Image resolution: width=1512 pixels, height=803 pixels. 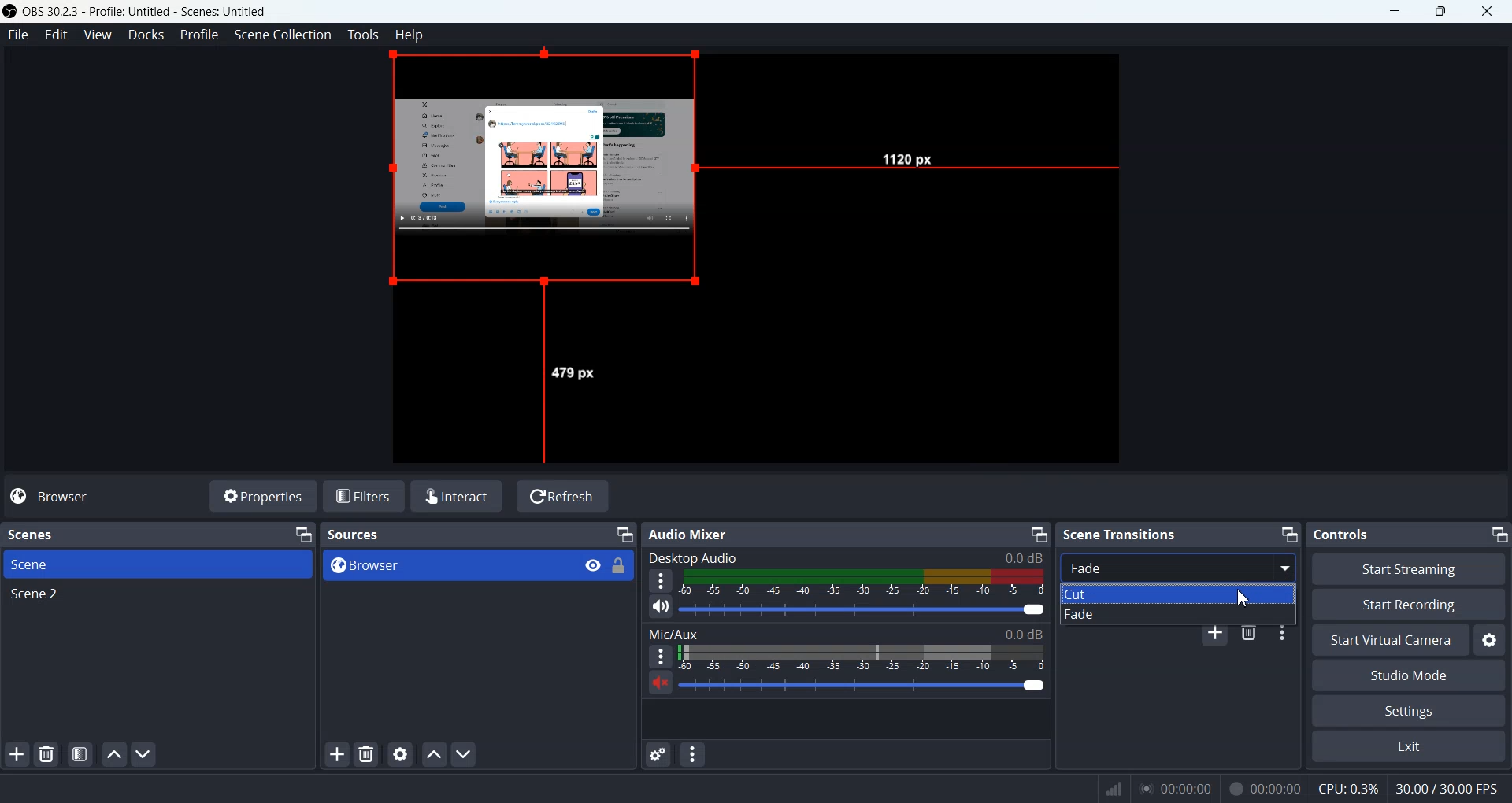 What do you see at coordinates (57, 35) in the screenshot?
I see `Edit` at bounding box center [57, 35].